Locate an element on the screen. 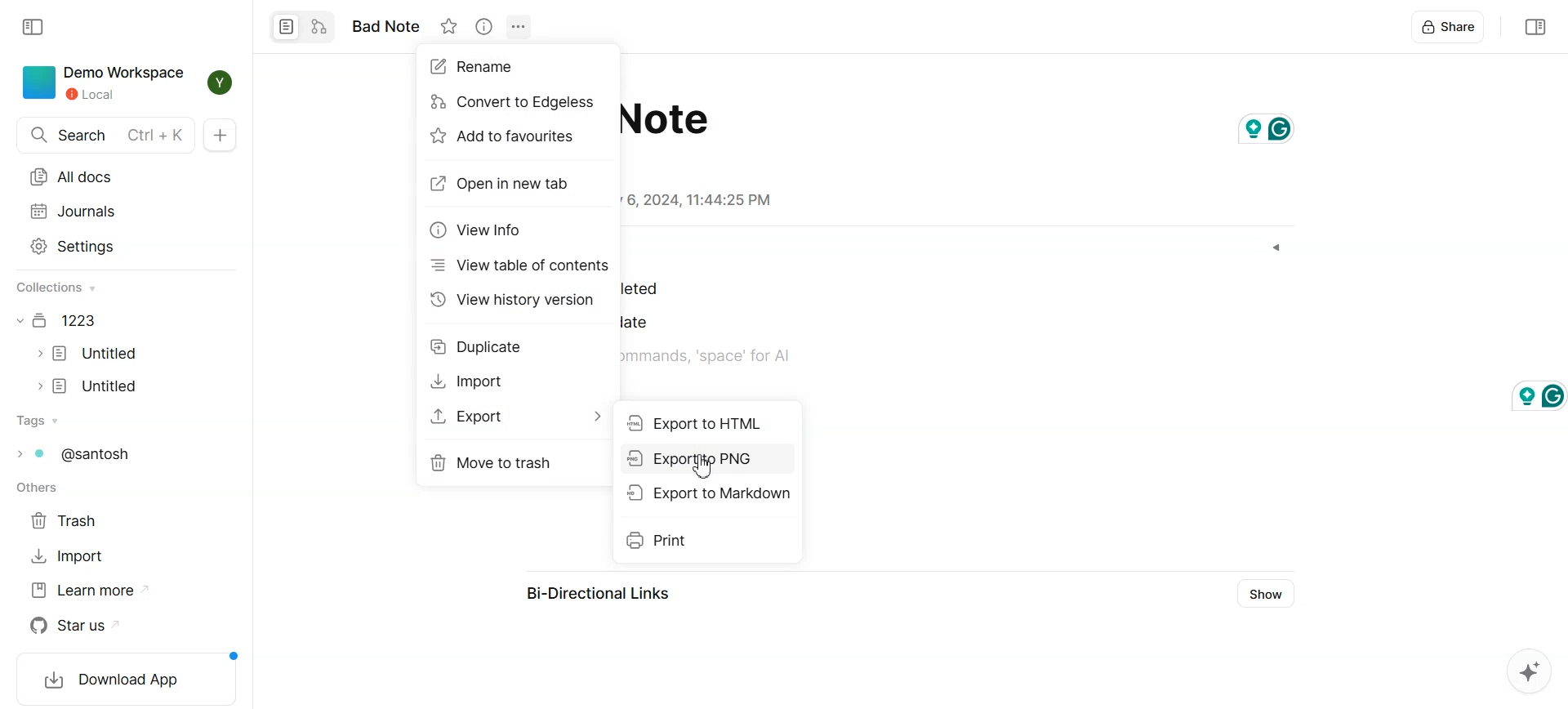 This screenshot has height=709, width=1568. All docs is located at coordinates (106, 177).